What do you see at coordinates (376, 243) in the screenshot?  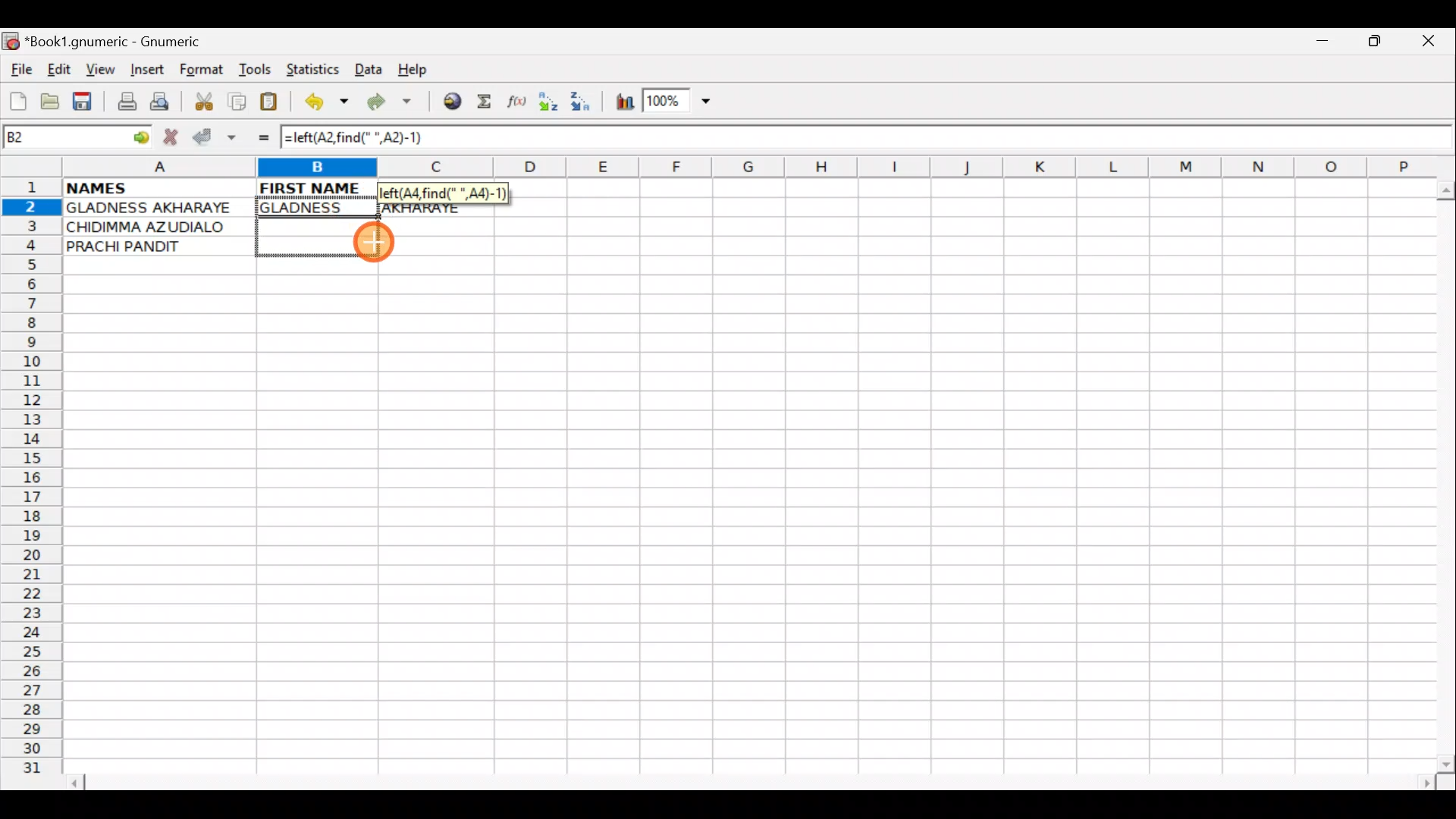 I see `Cursor on cell B4` at bounding box center [376, 243].